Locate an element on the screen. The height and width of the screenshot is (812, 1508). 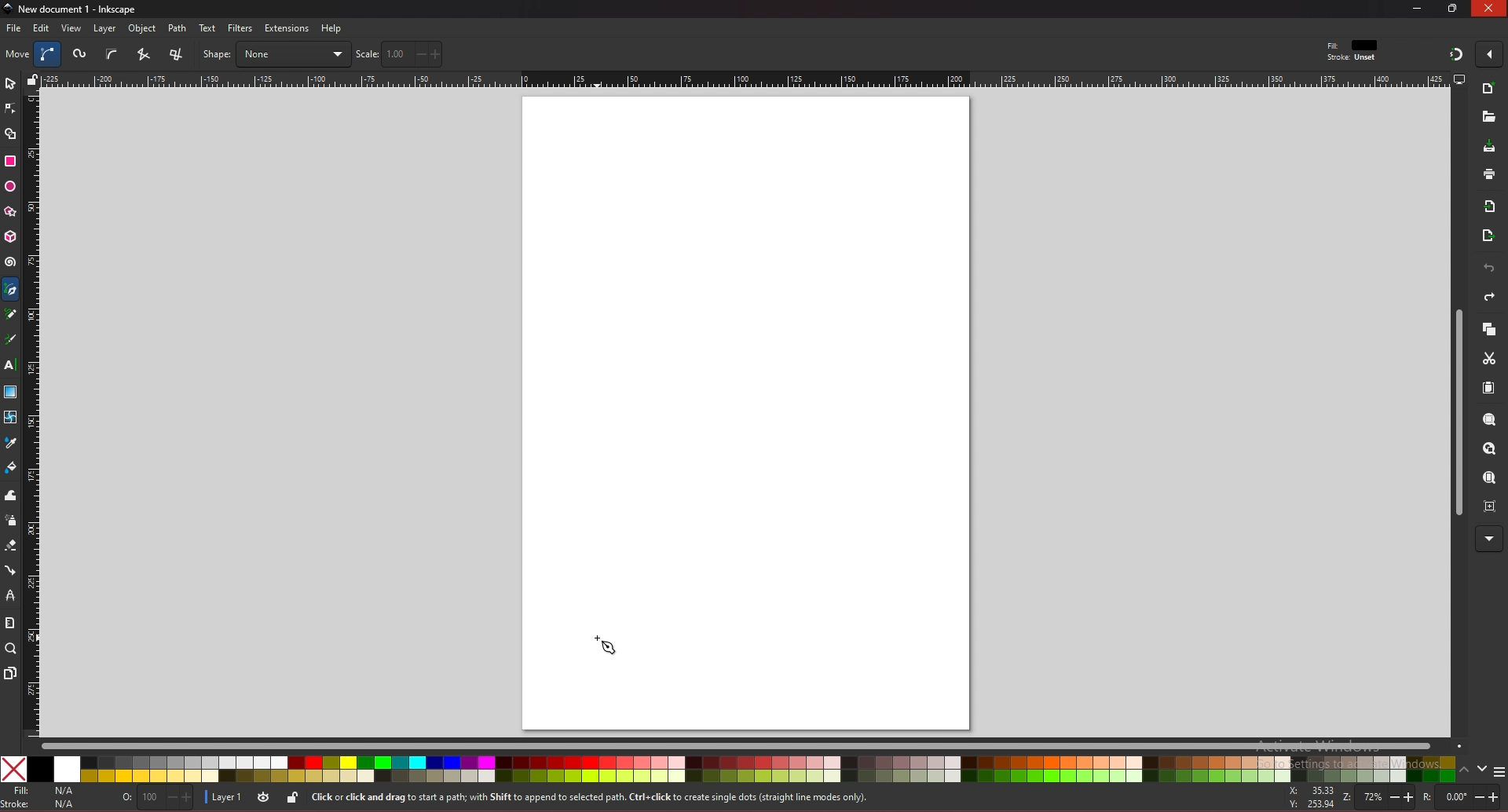
pencil is located at coordinates (15, 315).